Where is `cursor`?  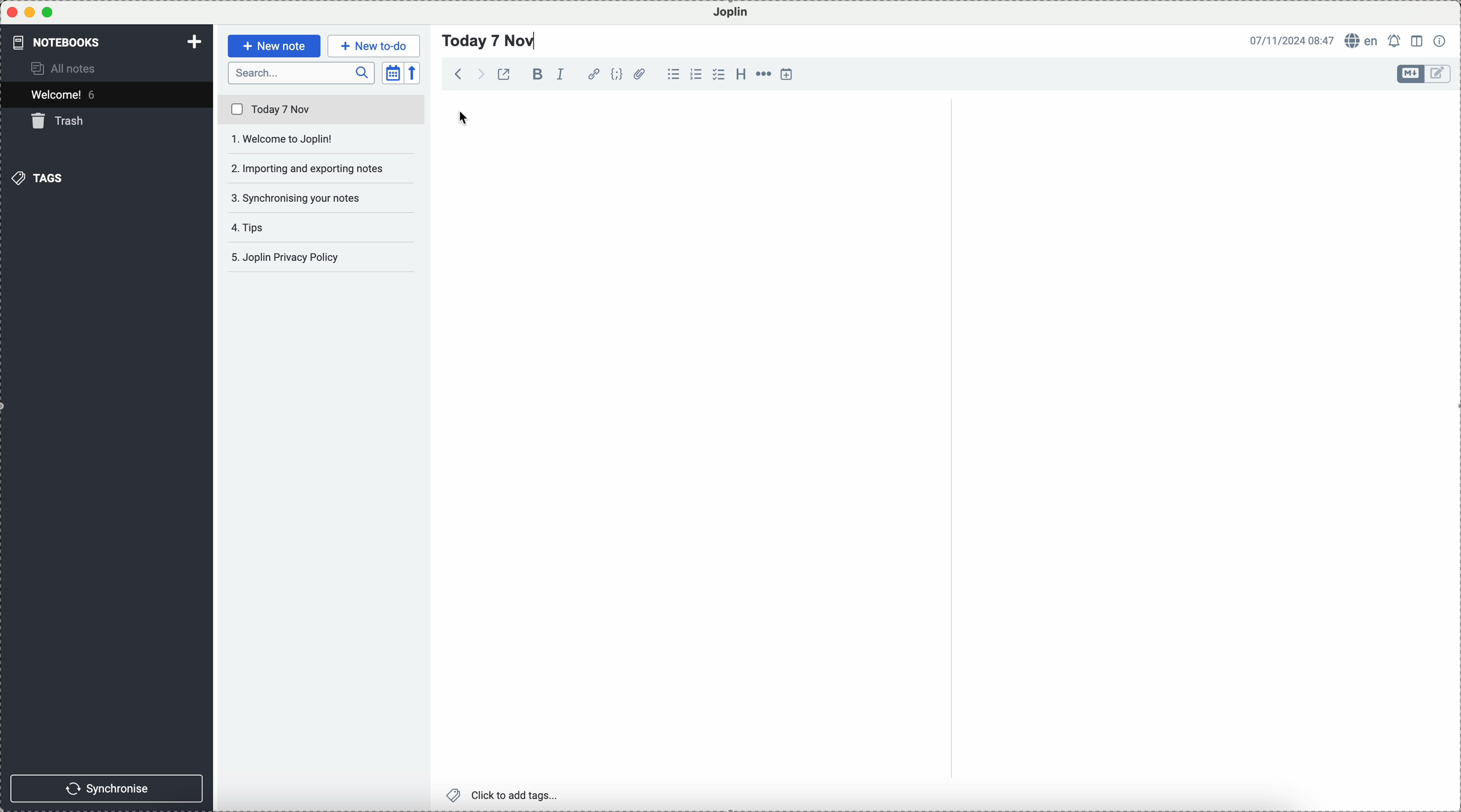
cursor is located at coordinates (465, 118).